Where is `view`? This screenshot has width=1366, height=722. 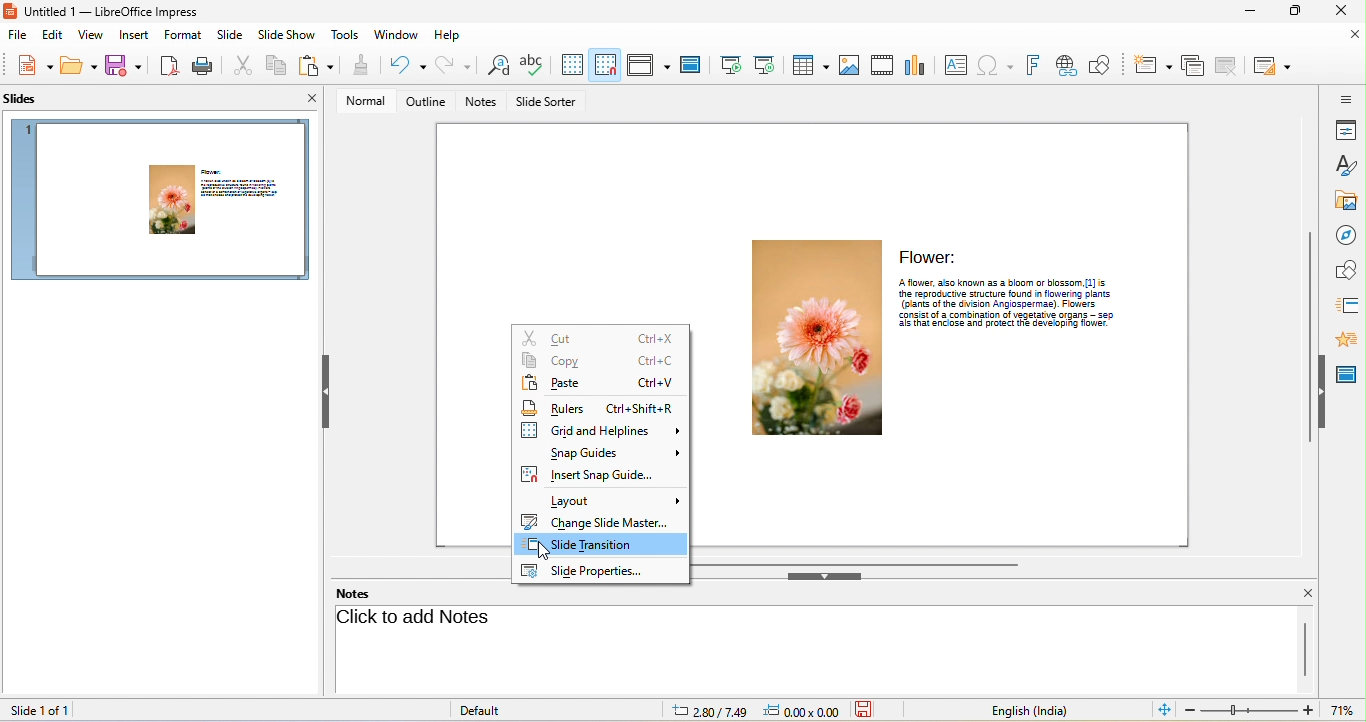
view is located at coordinates (90, 35).